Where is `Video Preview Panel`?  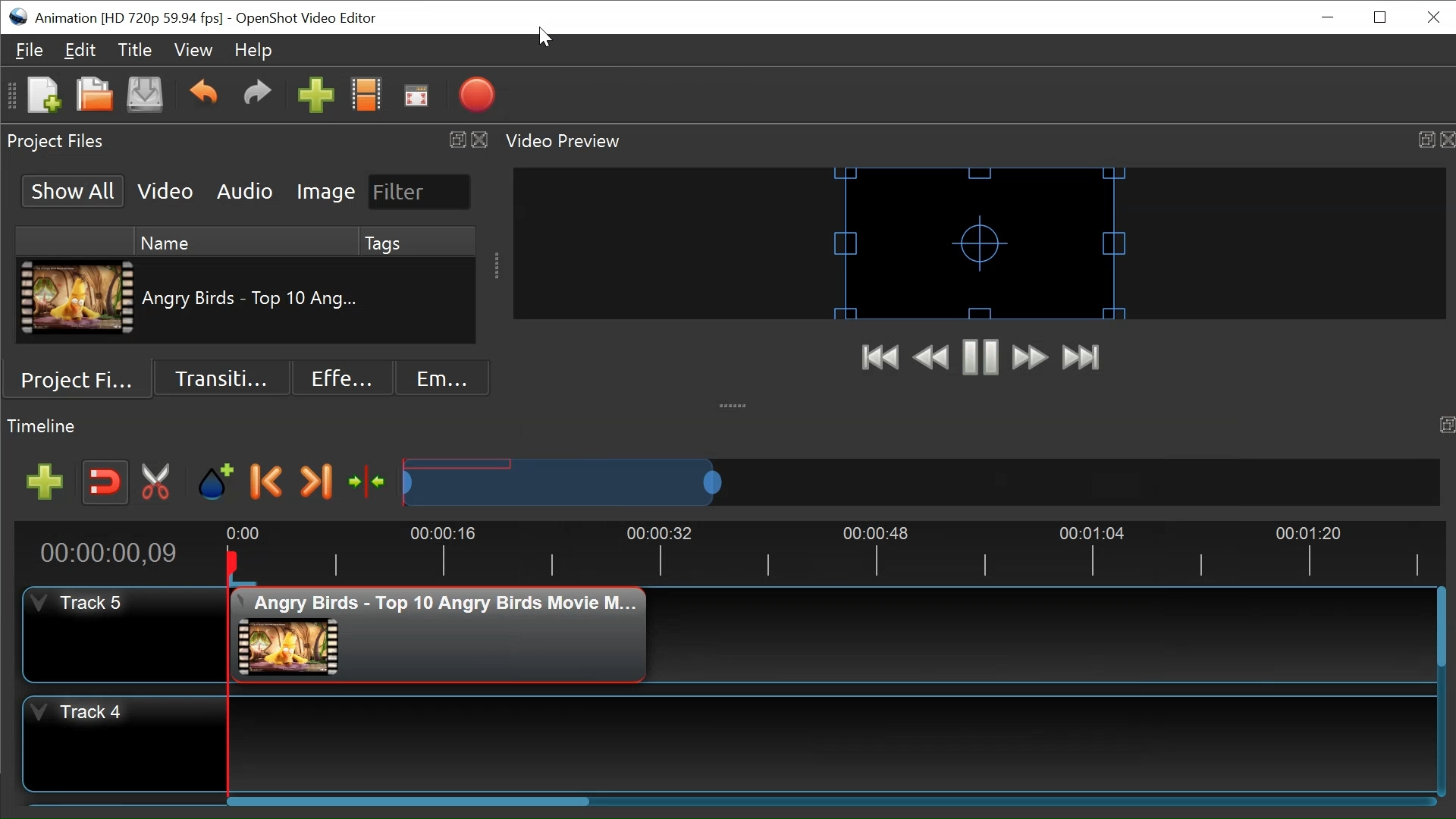
Video Preview Panel is located at coordinates (977, 141).